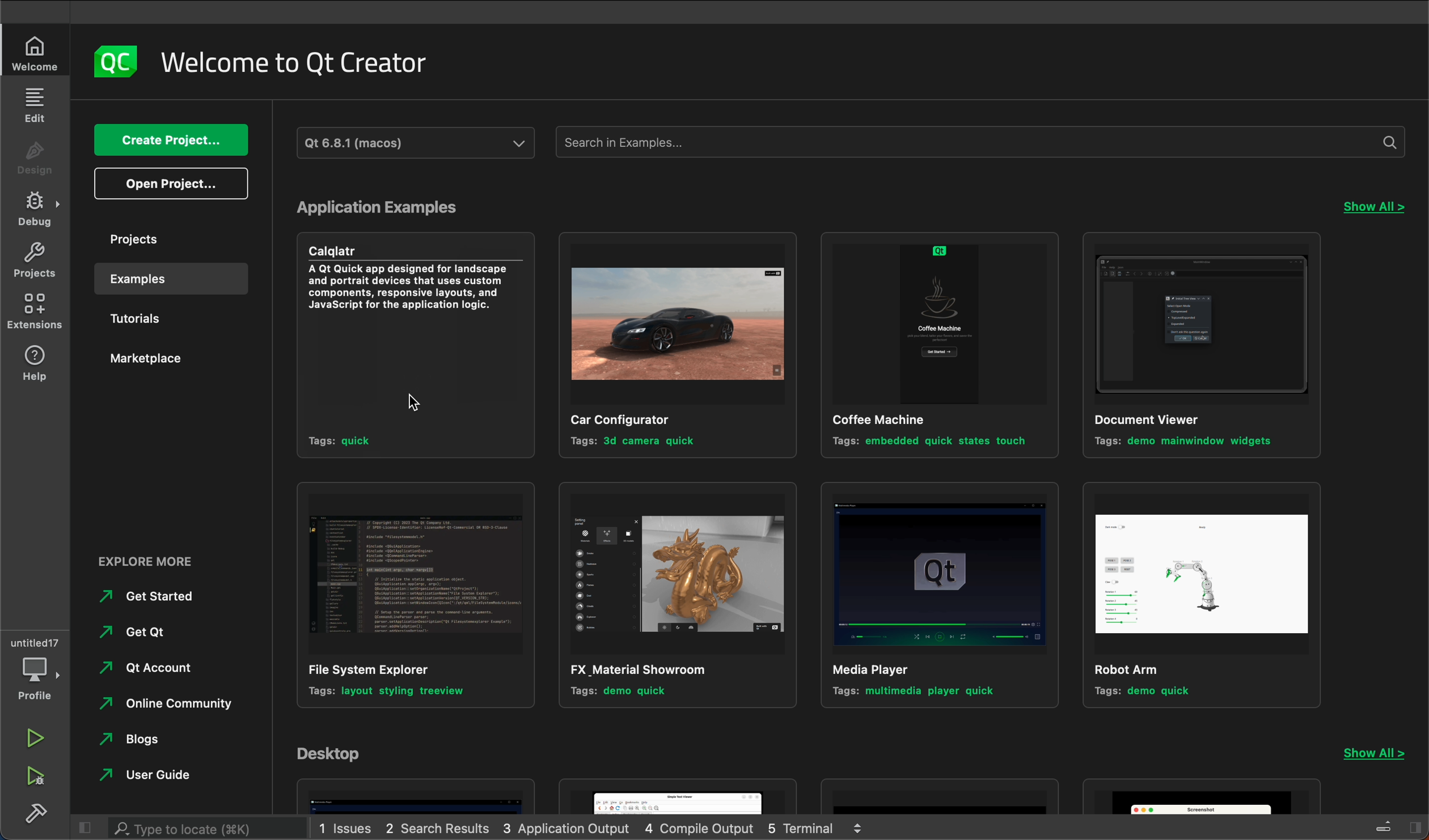 This screenshot has width=1429, height=840. Describe the element at coordinates (408, 597) in the screenshot. I see `file system explorer` at that location.